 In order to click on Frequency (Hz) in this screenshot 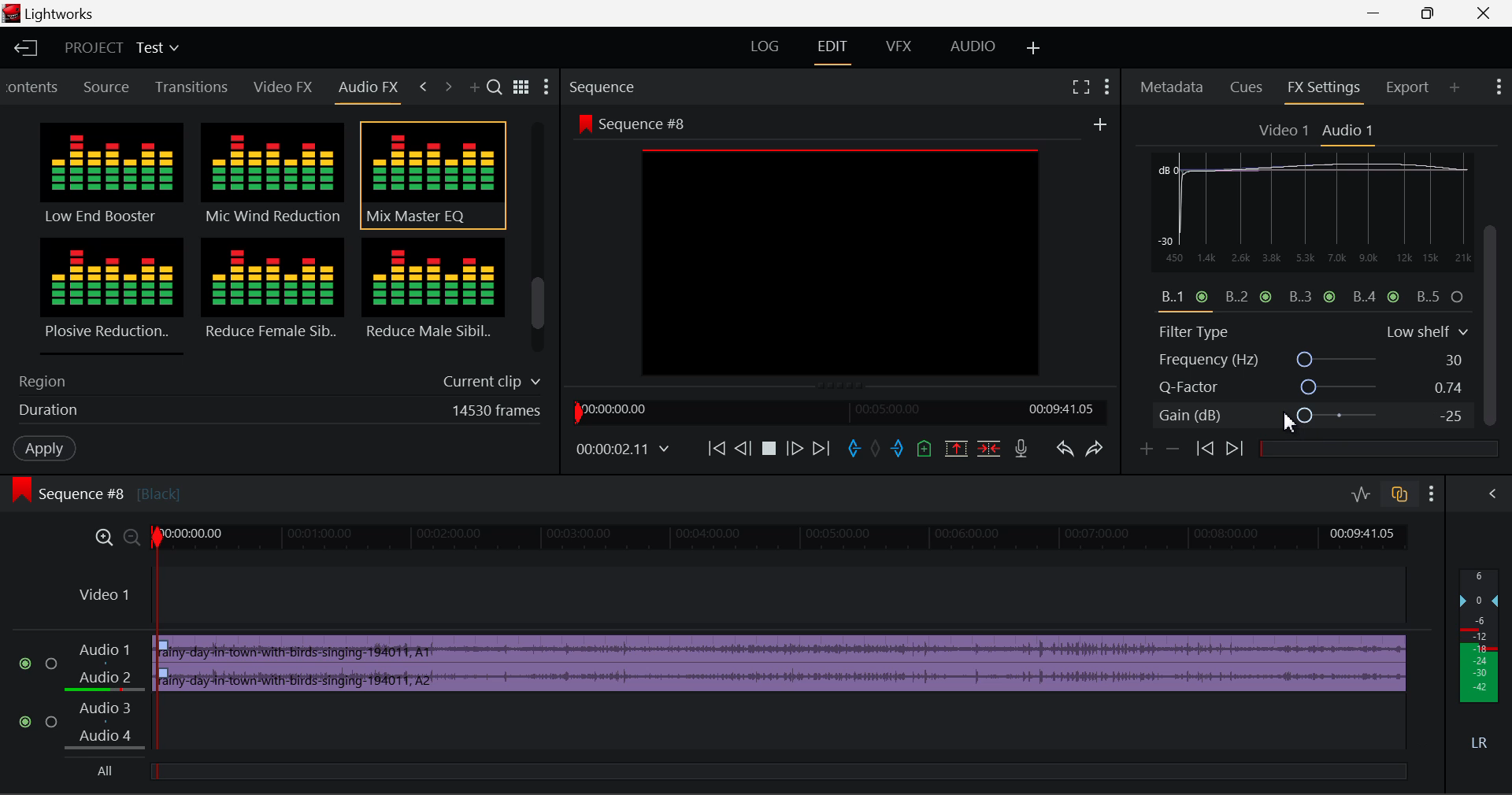, I will do `click(1314, 360)`.